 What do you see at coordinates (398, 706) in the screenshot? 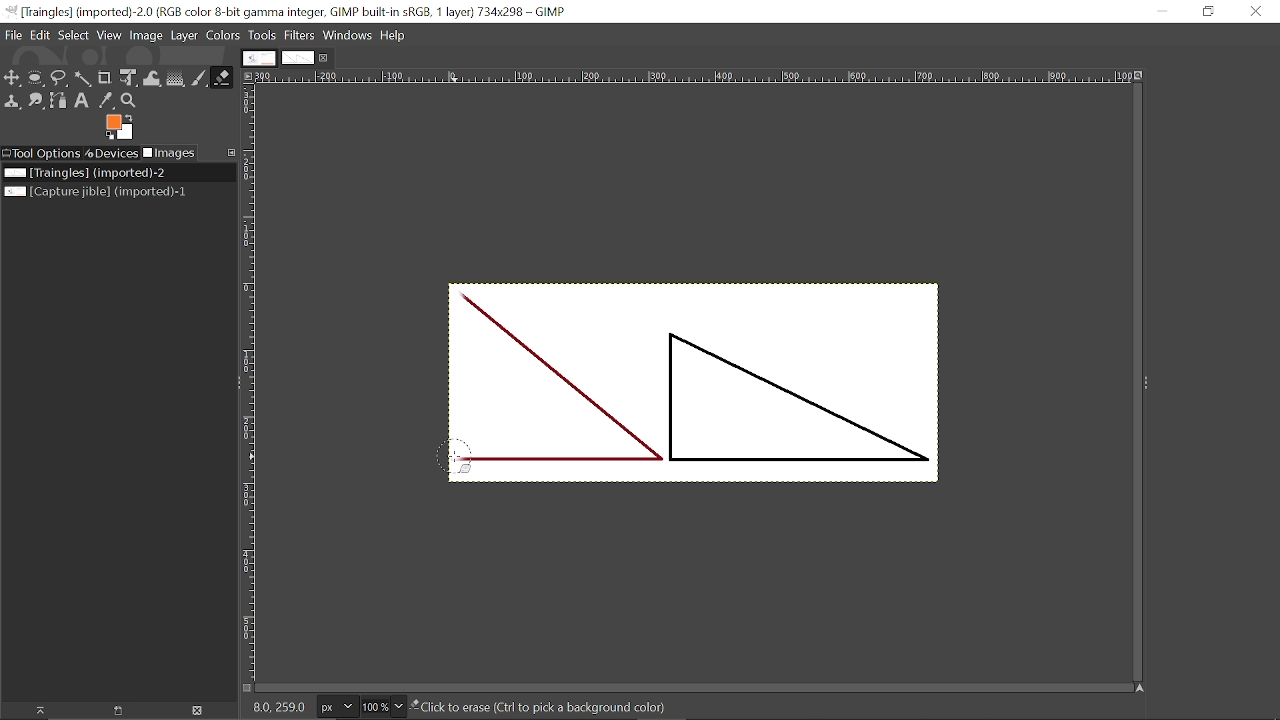
I see `Zoom options` at bounding box center [398, 706].